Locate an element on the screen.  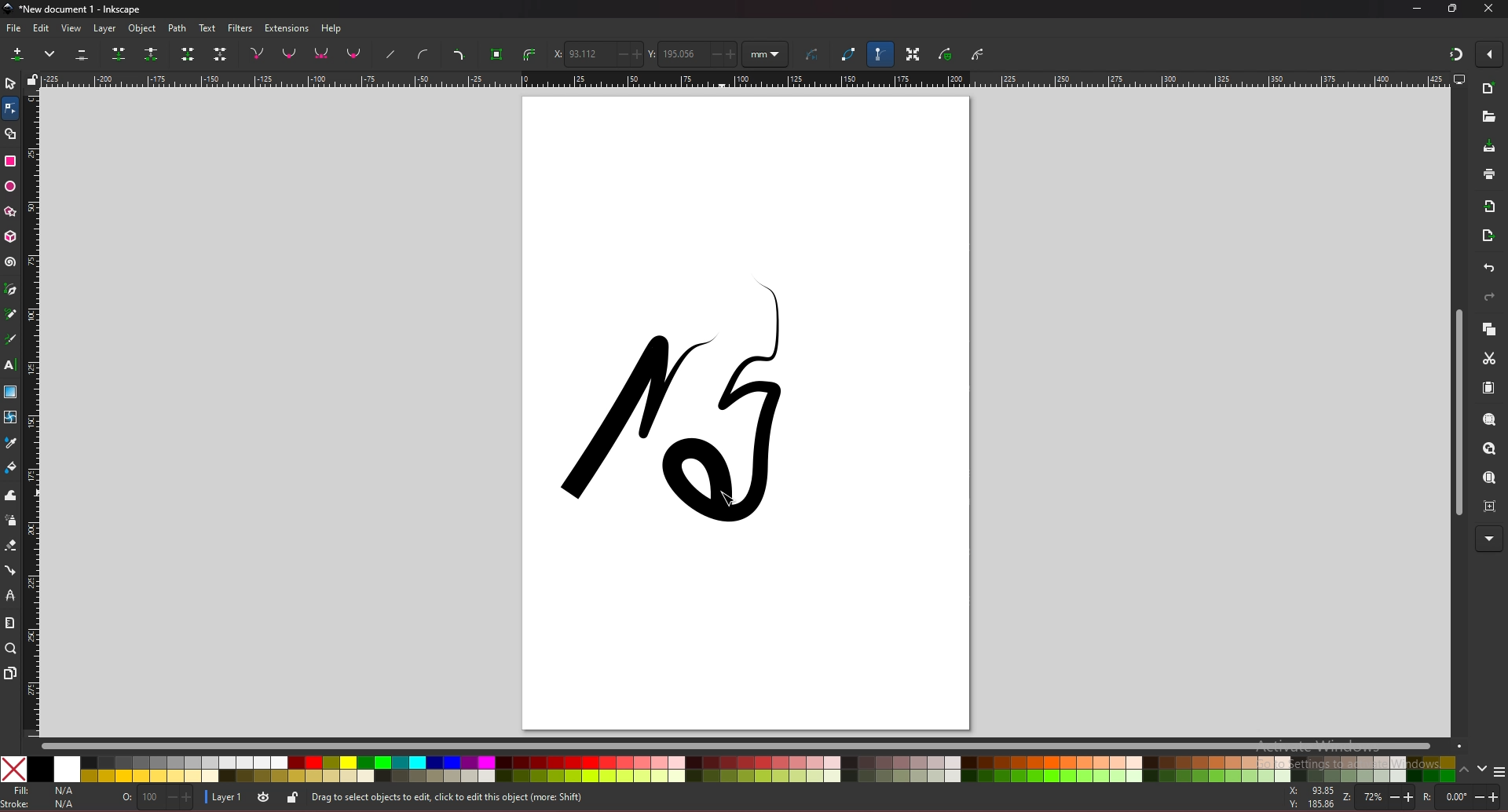
up is located at coordinates (1466, 768).